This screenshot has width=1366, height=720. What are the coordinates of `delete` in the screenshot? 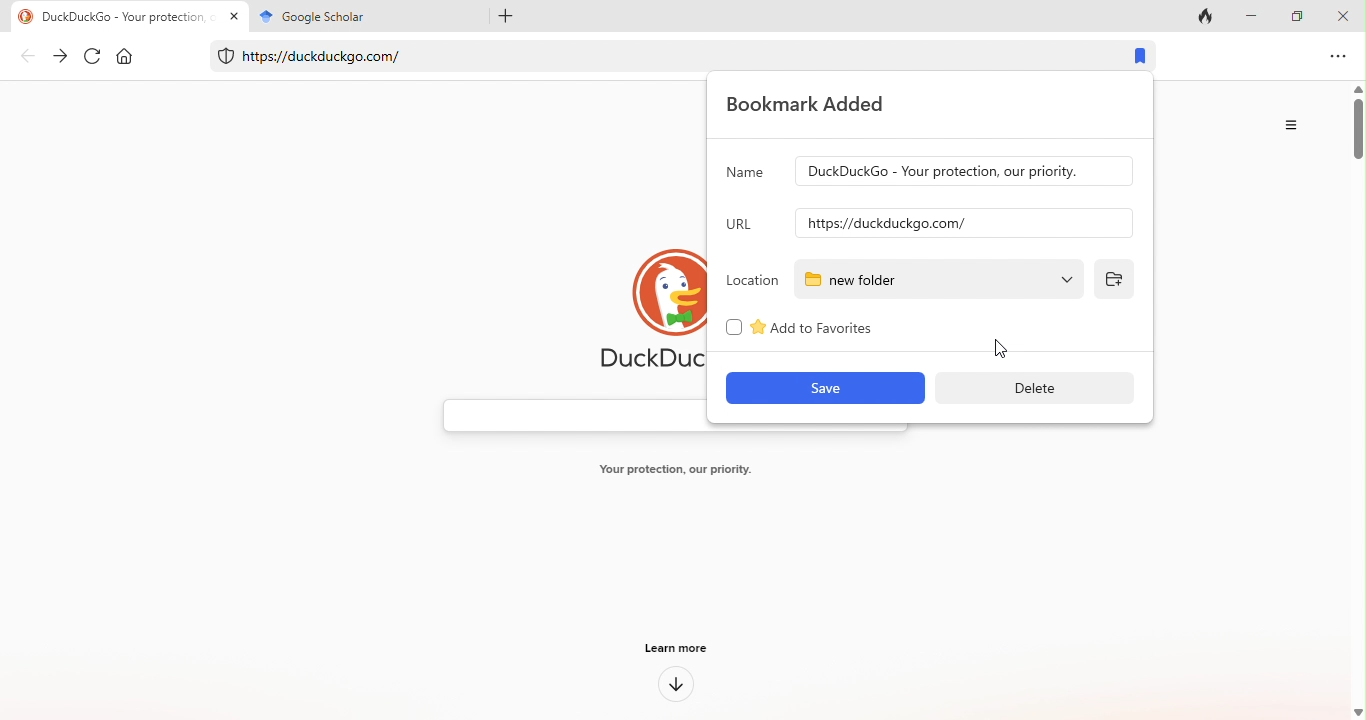 It's located at (1032, 391).